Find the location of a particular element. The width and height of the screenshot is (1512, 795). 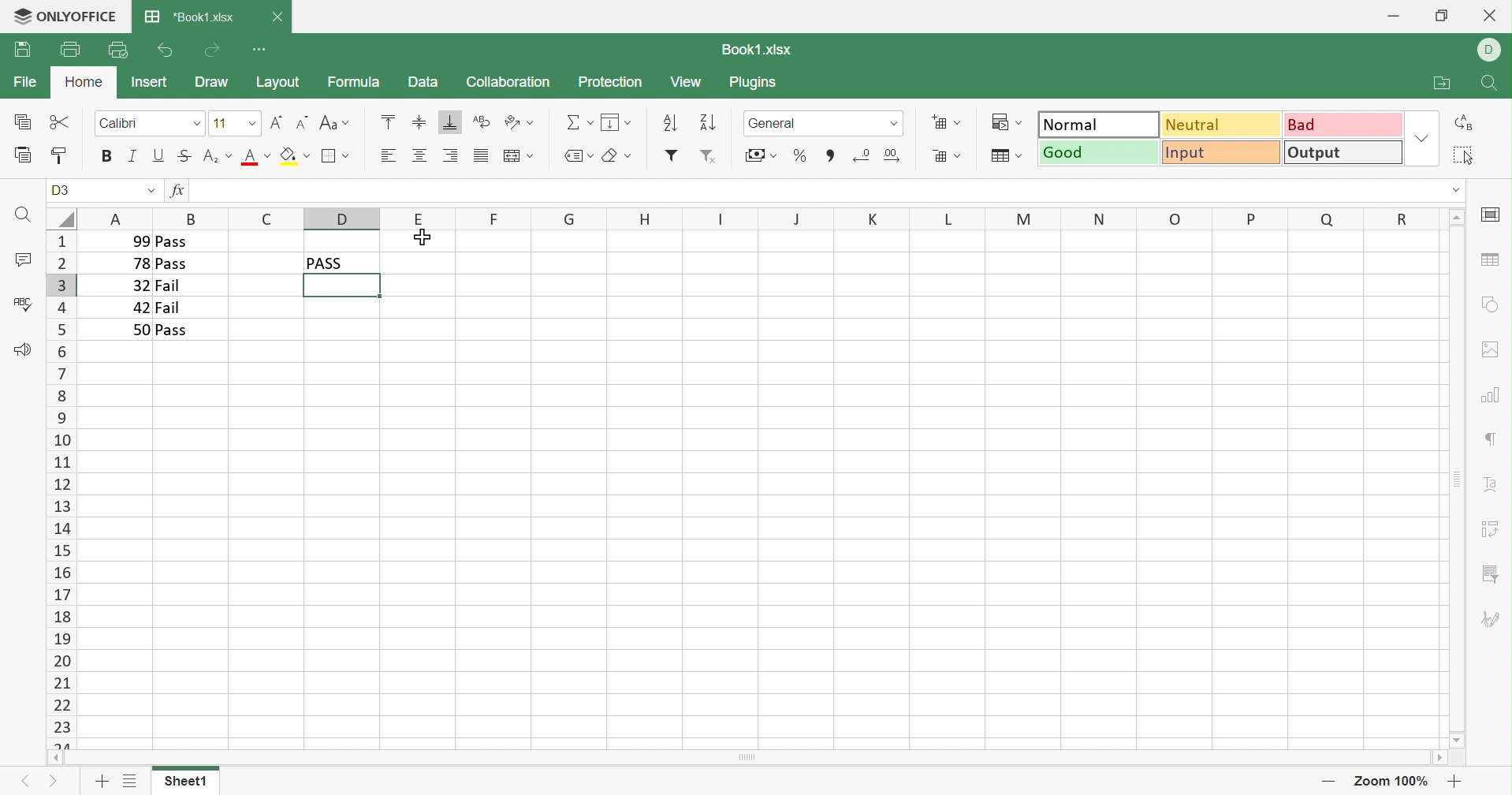

50 is located at coordinates (139, 330).